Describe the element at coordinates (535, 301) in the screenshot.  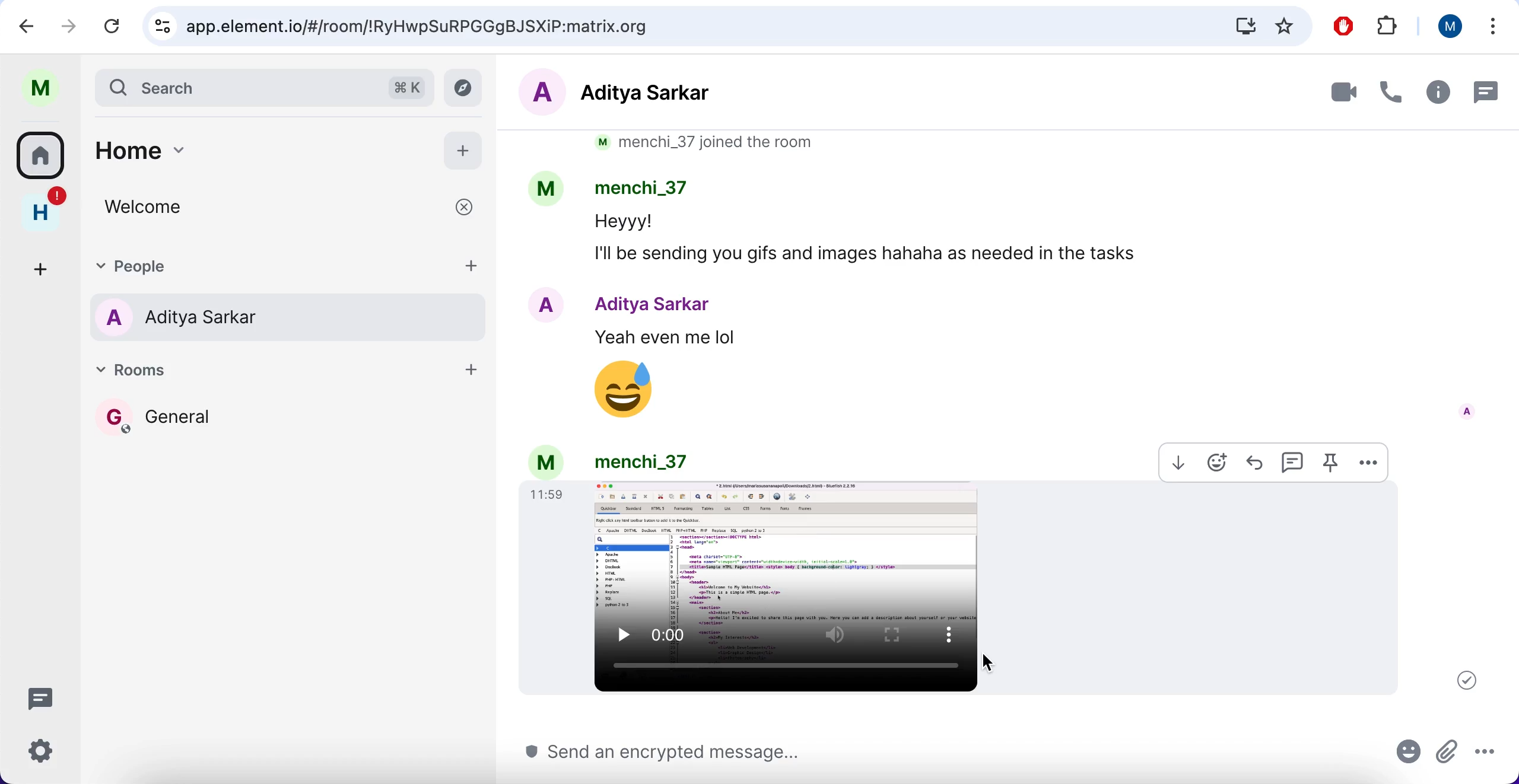
I see `A` at that location.